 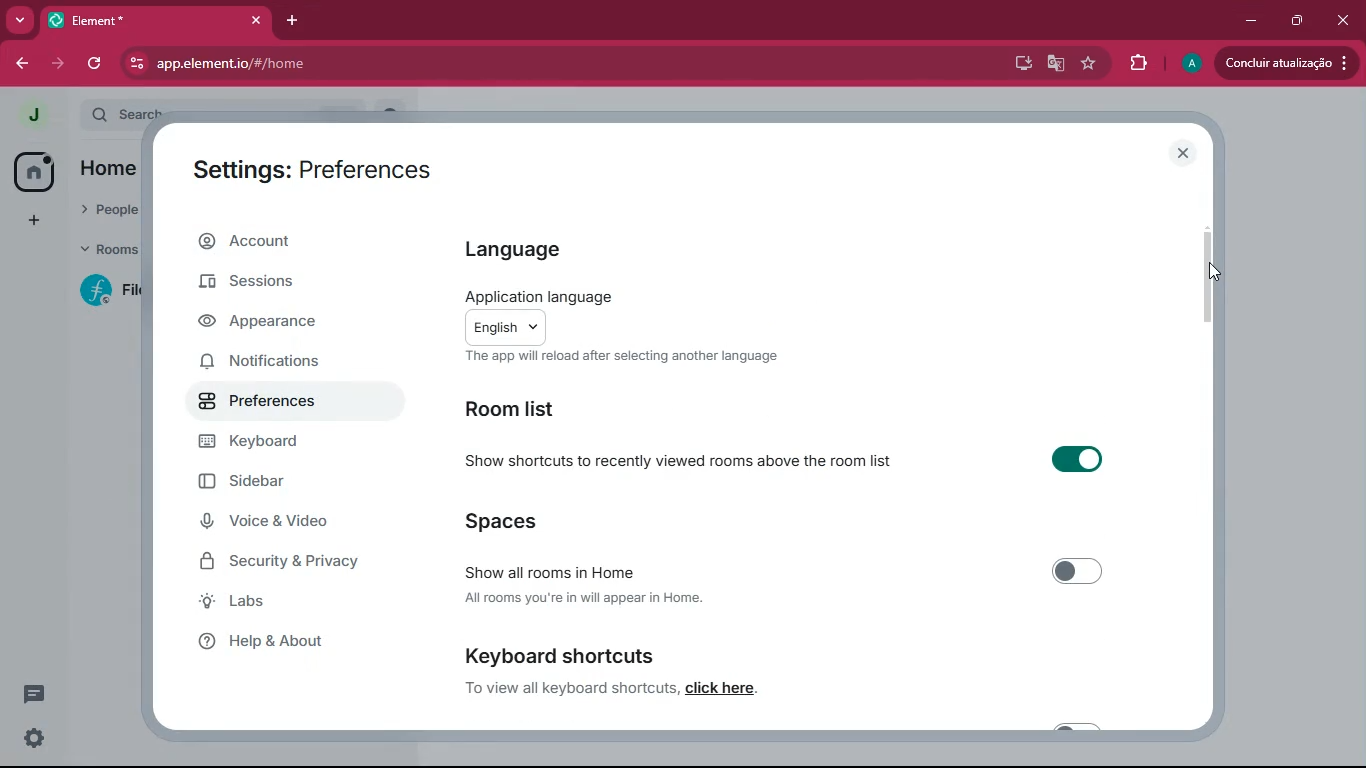 I want to click on close, so click(x=1185, y=154).